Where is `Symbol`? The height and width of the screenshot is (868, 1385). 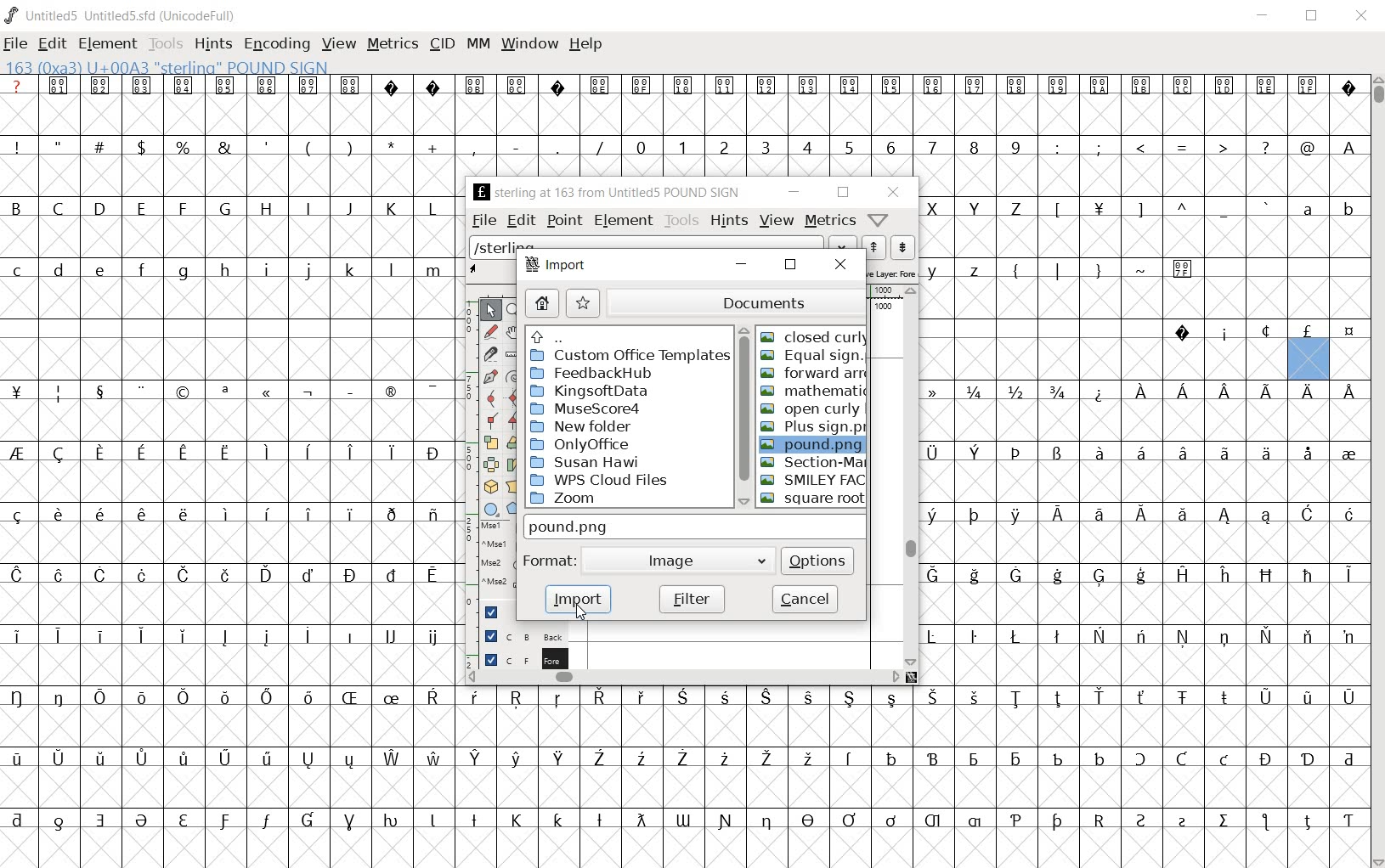
Symbol is located at coordinates (1263, 697).